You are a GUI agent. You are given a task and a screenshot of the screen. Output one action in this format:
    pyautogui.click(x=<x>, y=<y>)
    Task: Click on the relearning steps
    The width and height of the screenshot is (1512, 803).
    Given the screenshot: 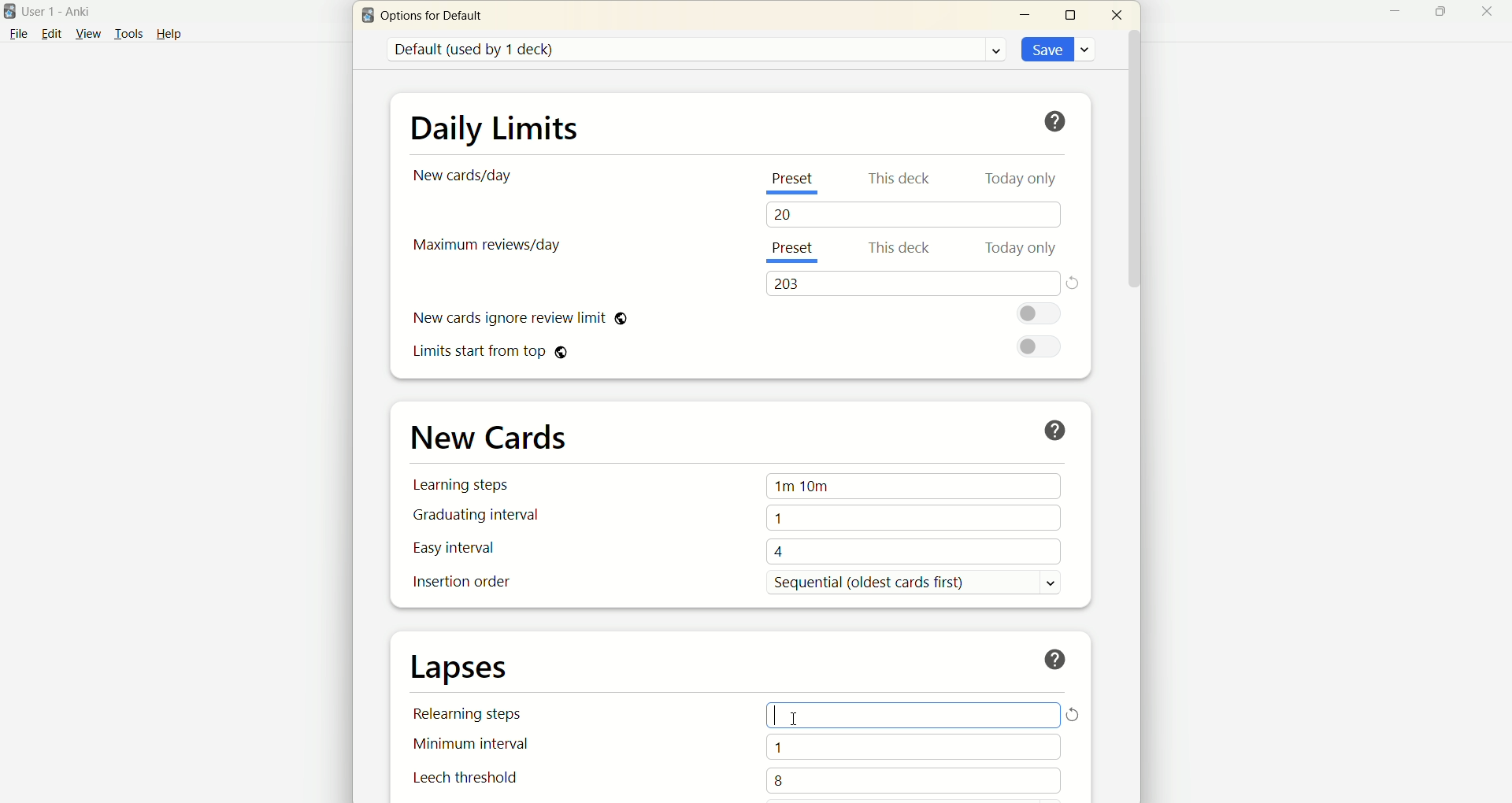 What is the action you would take?
    pyautogui.click(x=473, y=718)
    